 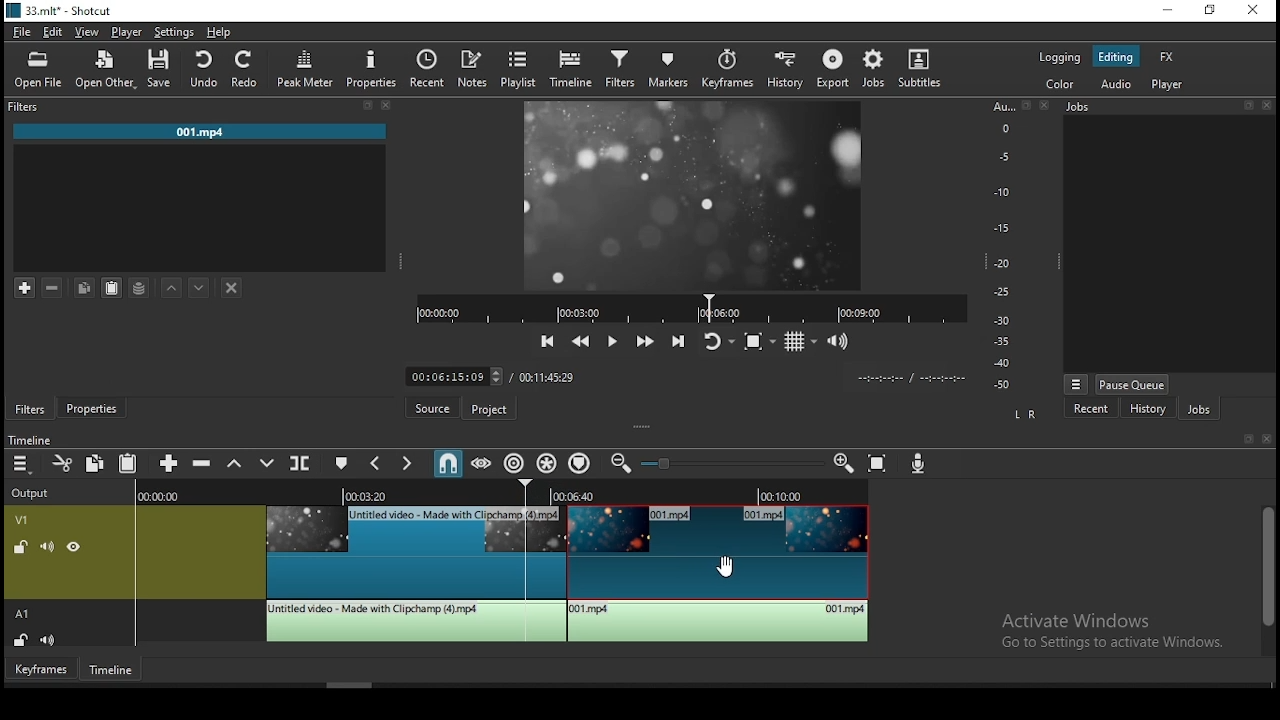 I want to click on ripple all tracks, so click(x=547, y=463).